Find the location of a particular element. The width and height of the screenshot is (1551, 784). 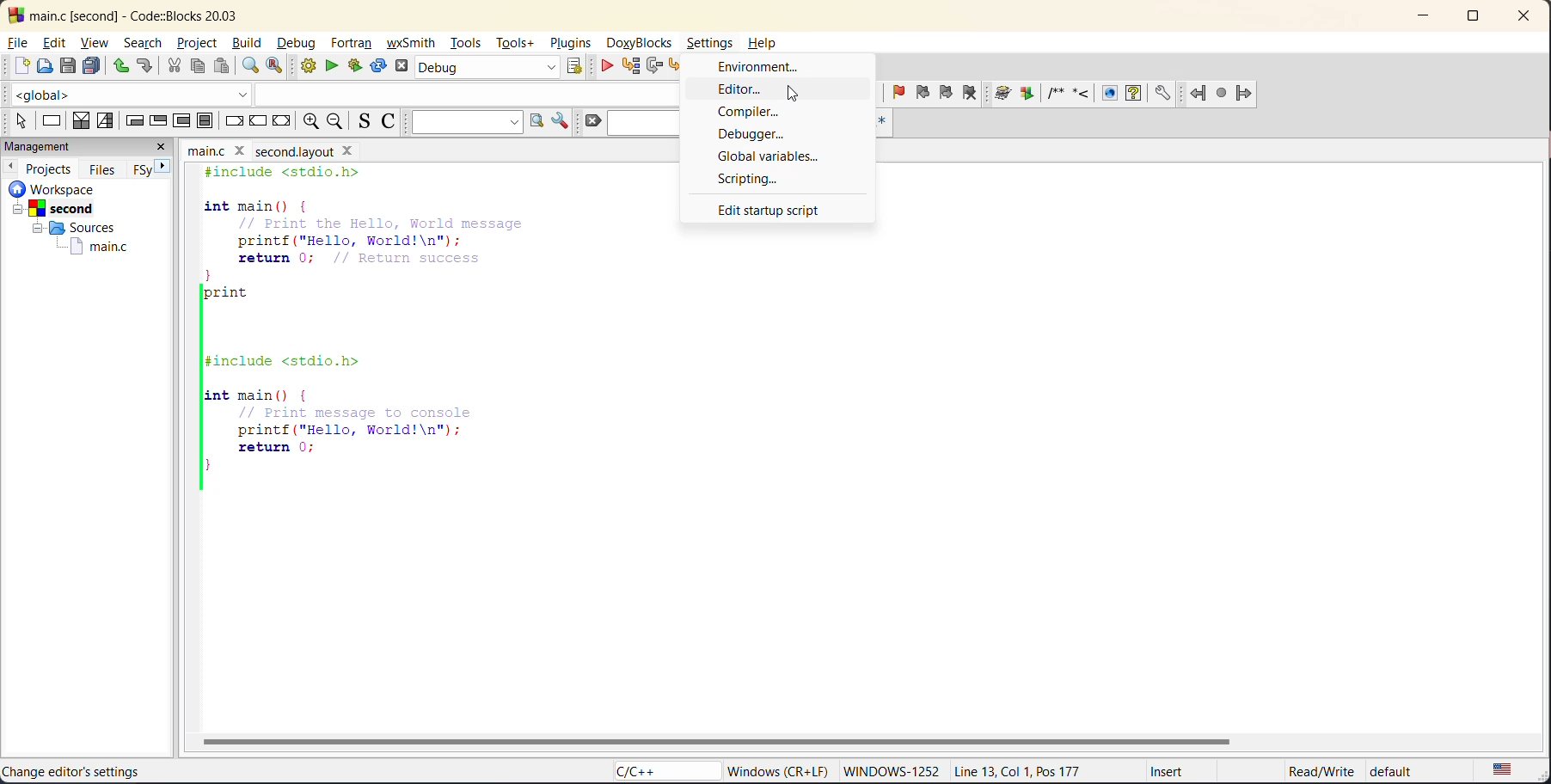

run to cursor is located at coordinates (629, 65).